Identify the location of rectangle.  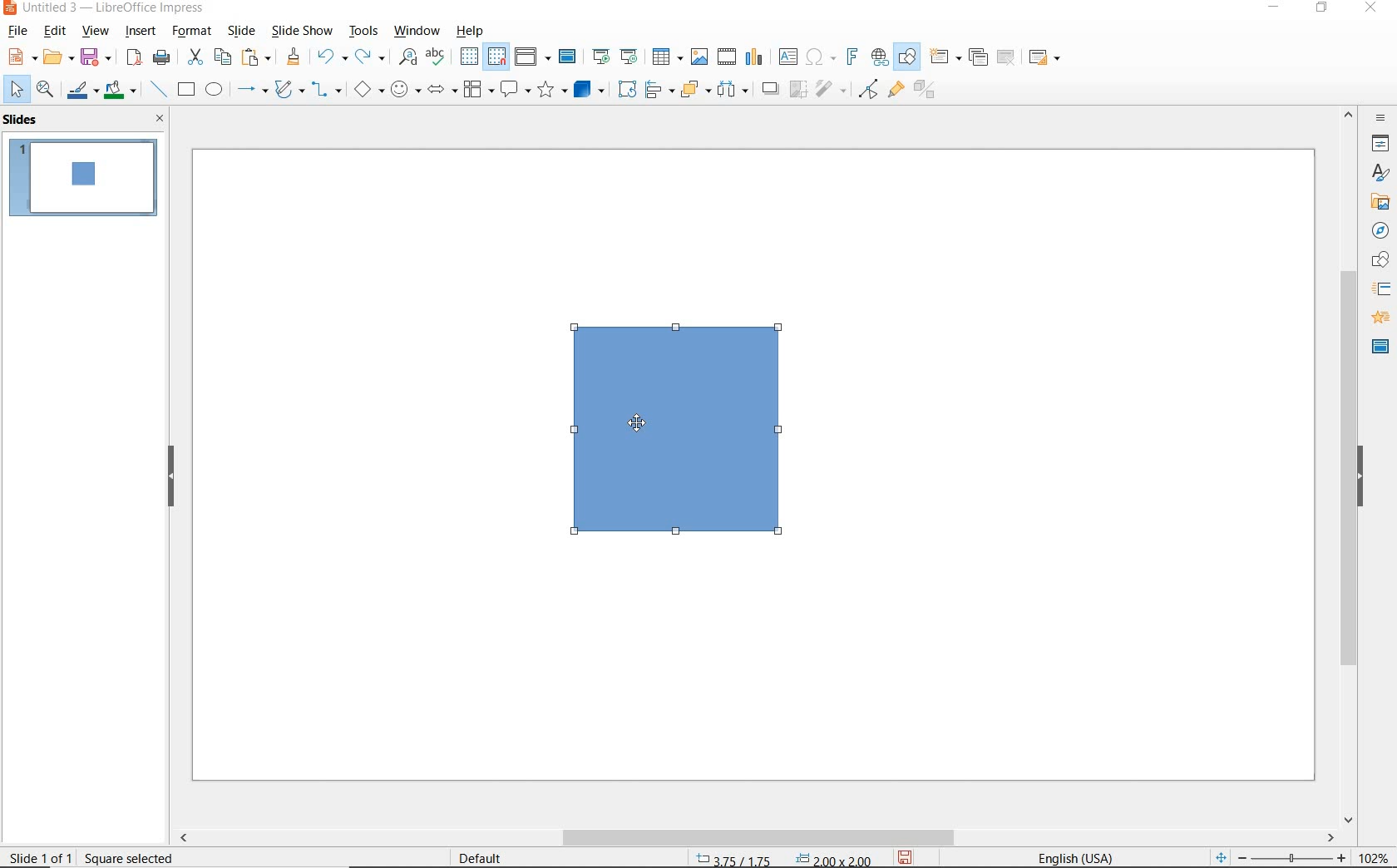
(186, 89).